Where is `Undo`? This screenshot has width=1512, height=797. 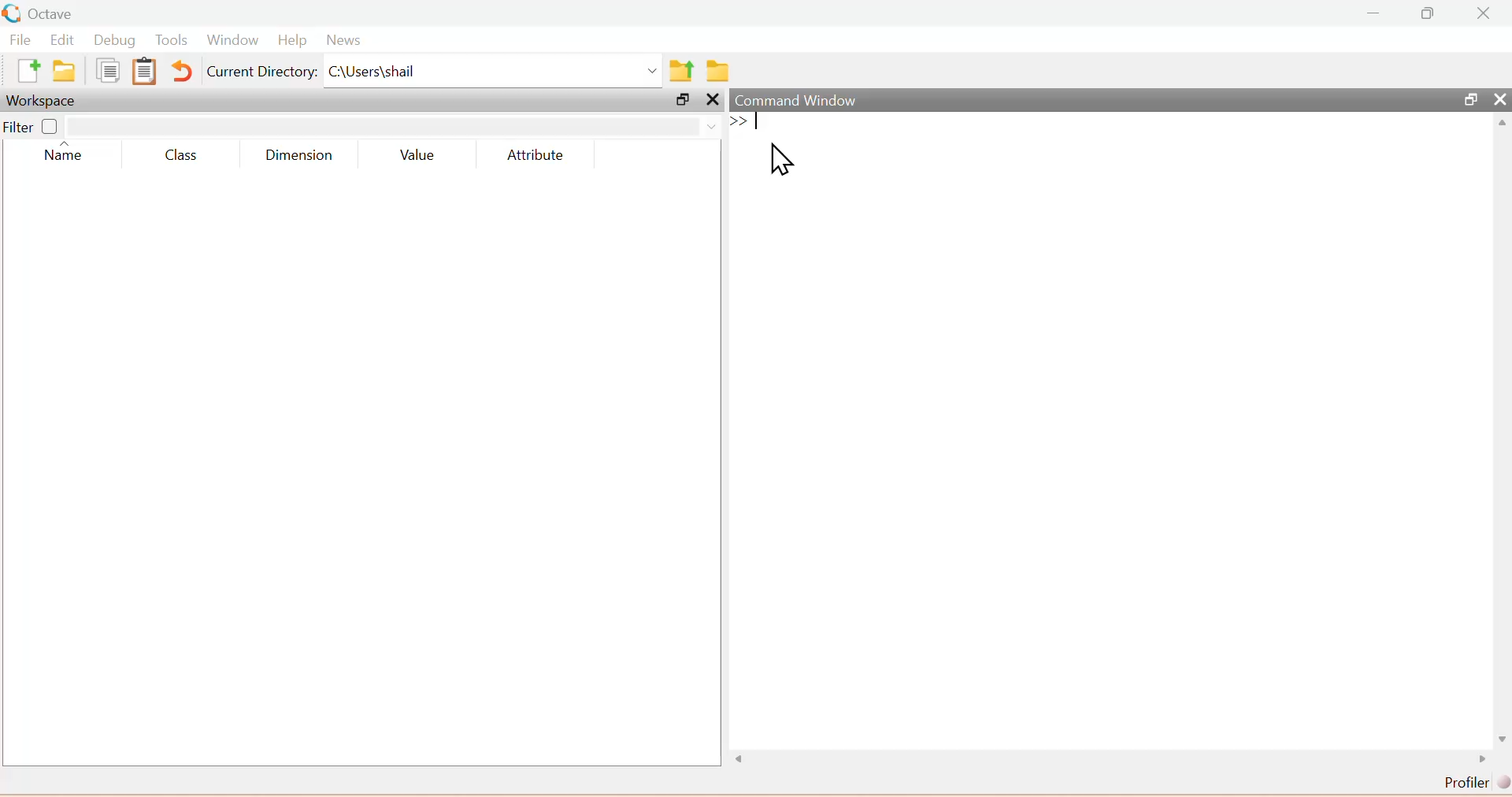 Undo is located at coordinates (183, 72).